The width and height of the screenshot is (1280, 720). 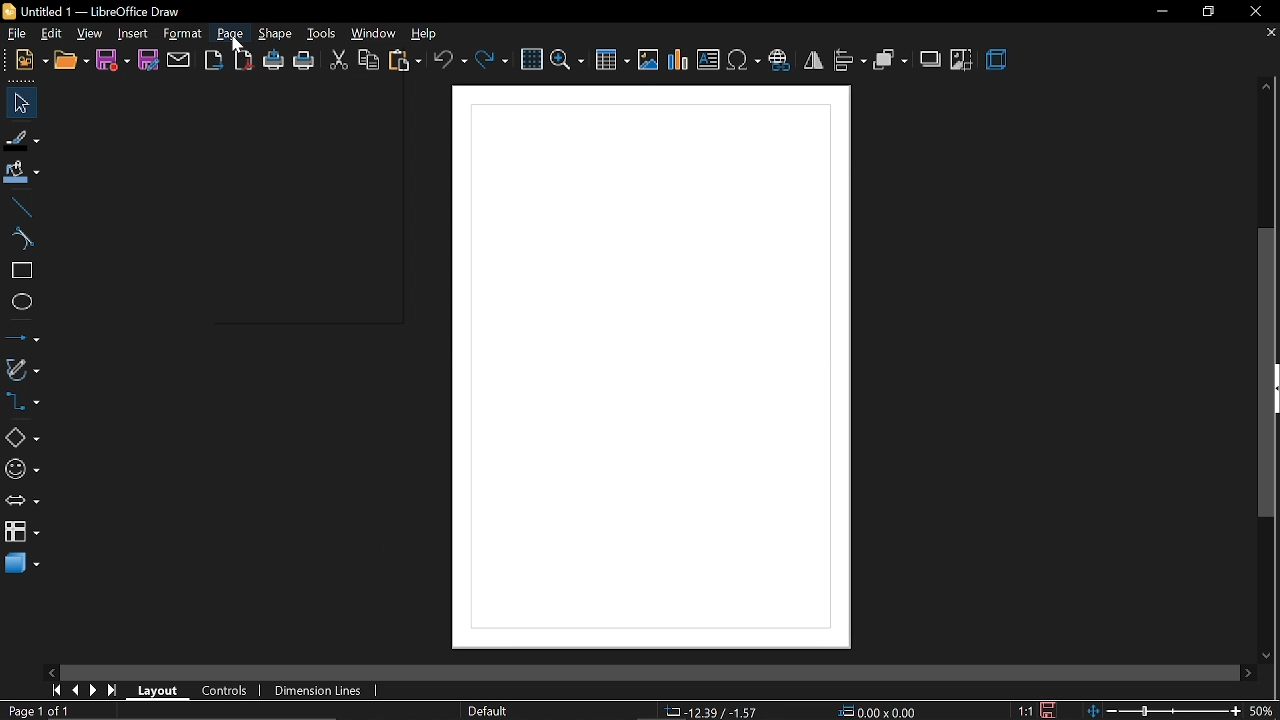 What do you see at coordinates (18, 103) in the screenshot?
I see `select` at bounding box center [18, 103].